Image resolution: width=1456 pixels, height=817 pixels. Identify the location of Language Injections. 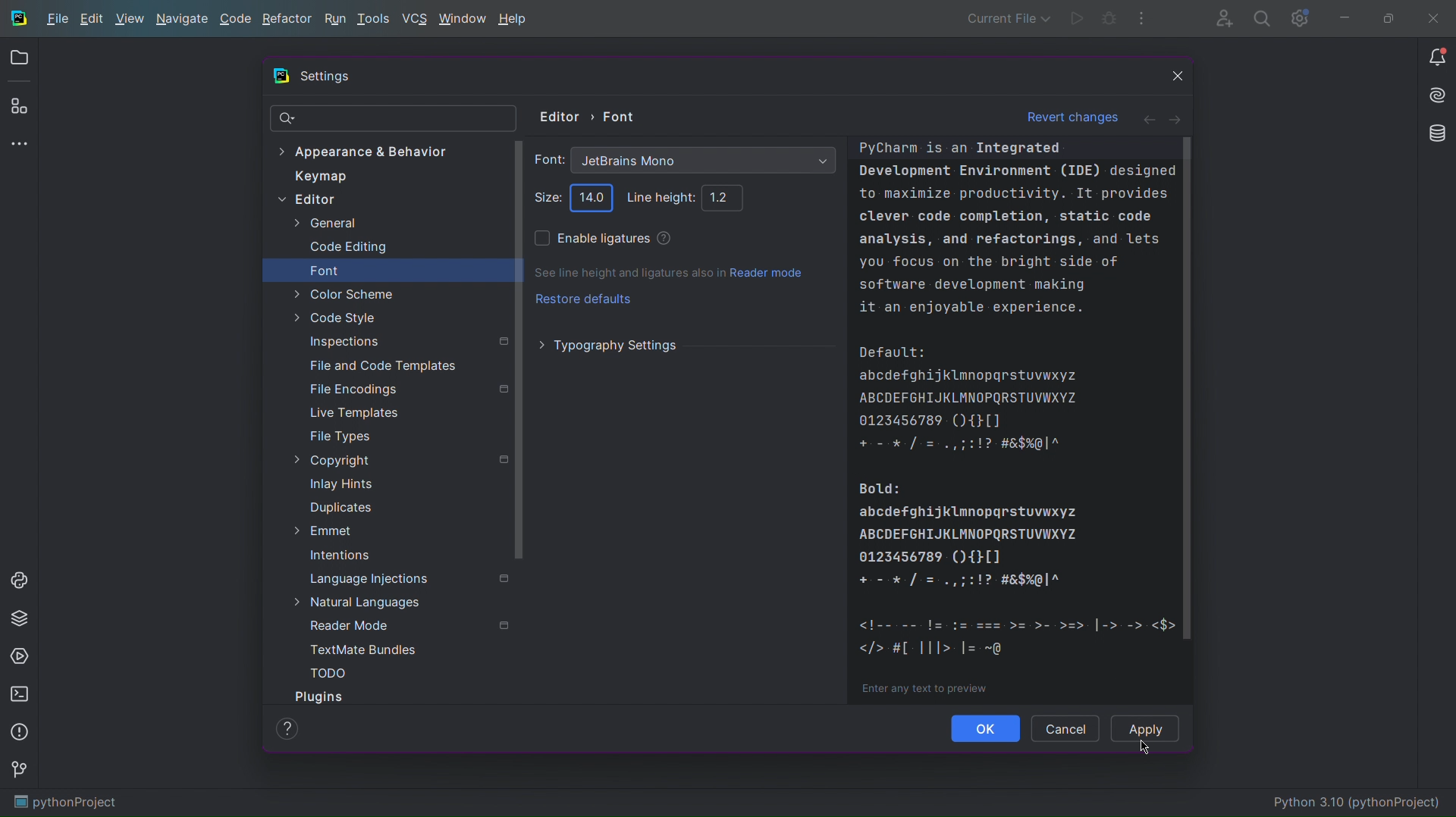
(411, 579).